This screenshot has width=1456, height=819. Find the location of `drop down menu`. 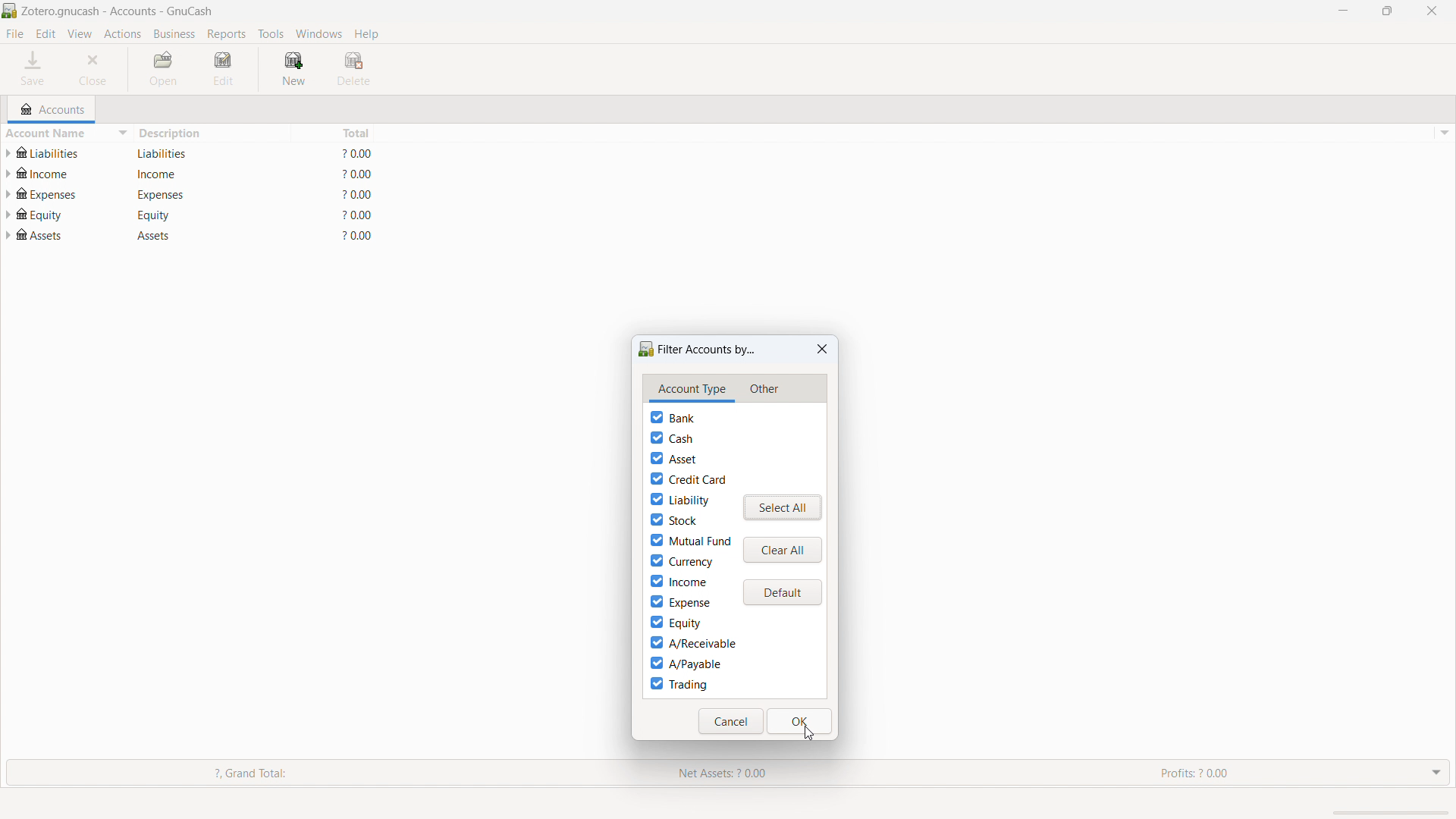

drop down menu is located at coordinates (1437, 770).